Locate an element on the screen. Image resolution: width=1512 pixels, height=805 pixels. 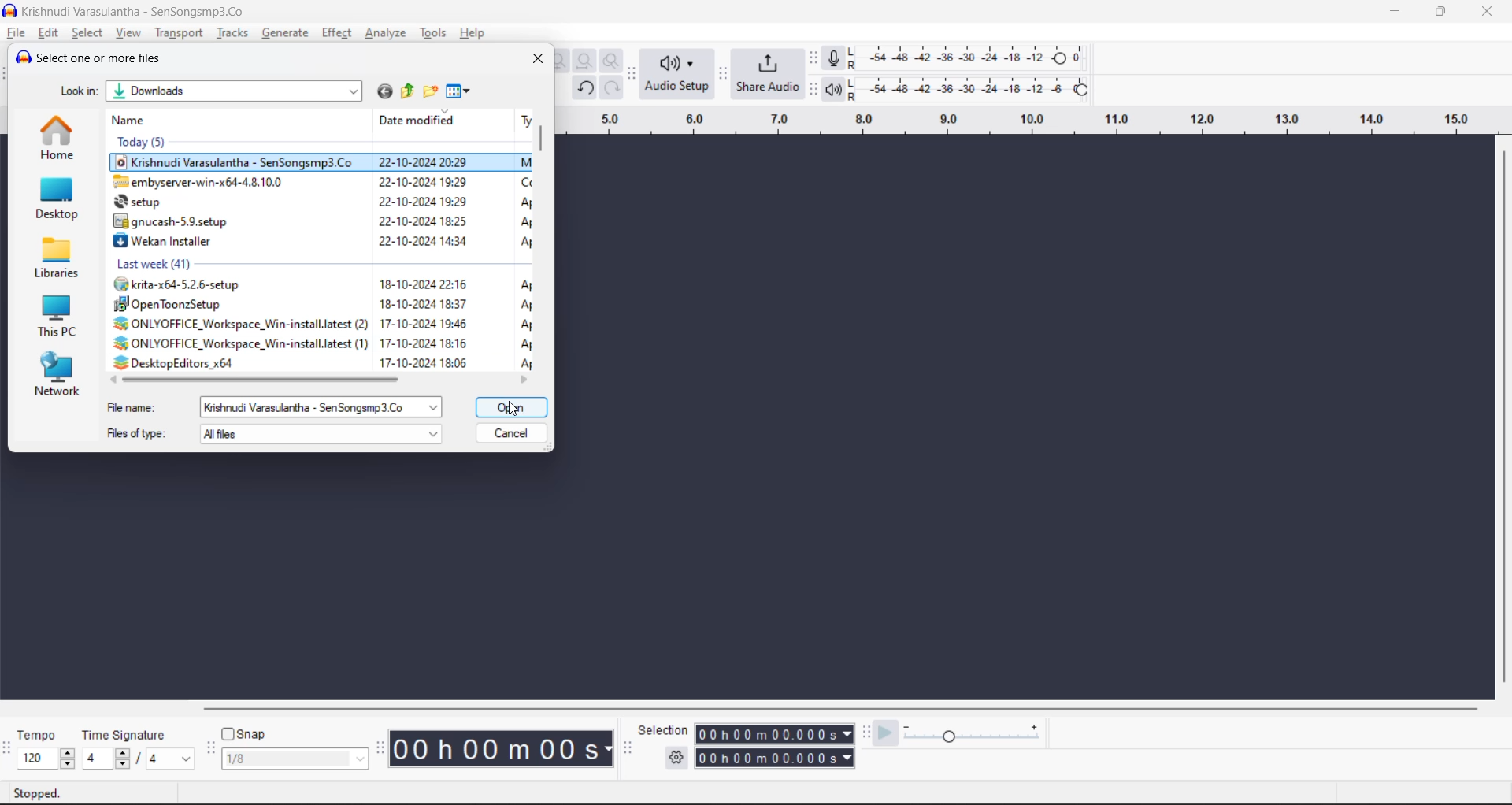
share audio toolbar is located at coordinates (724, 75).